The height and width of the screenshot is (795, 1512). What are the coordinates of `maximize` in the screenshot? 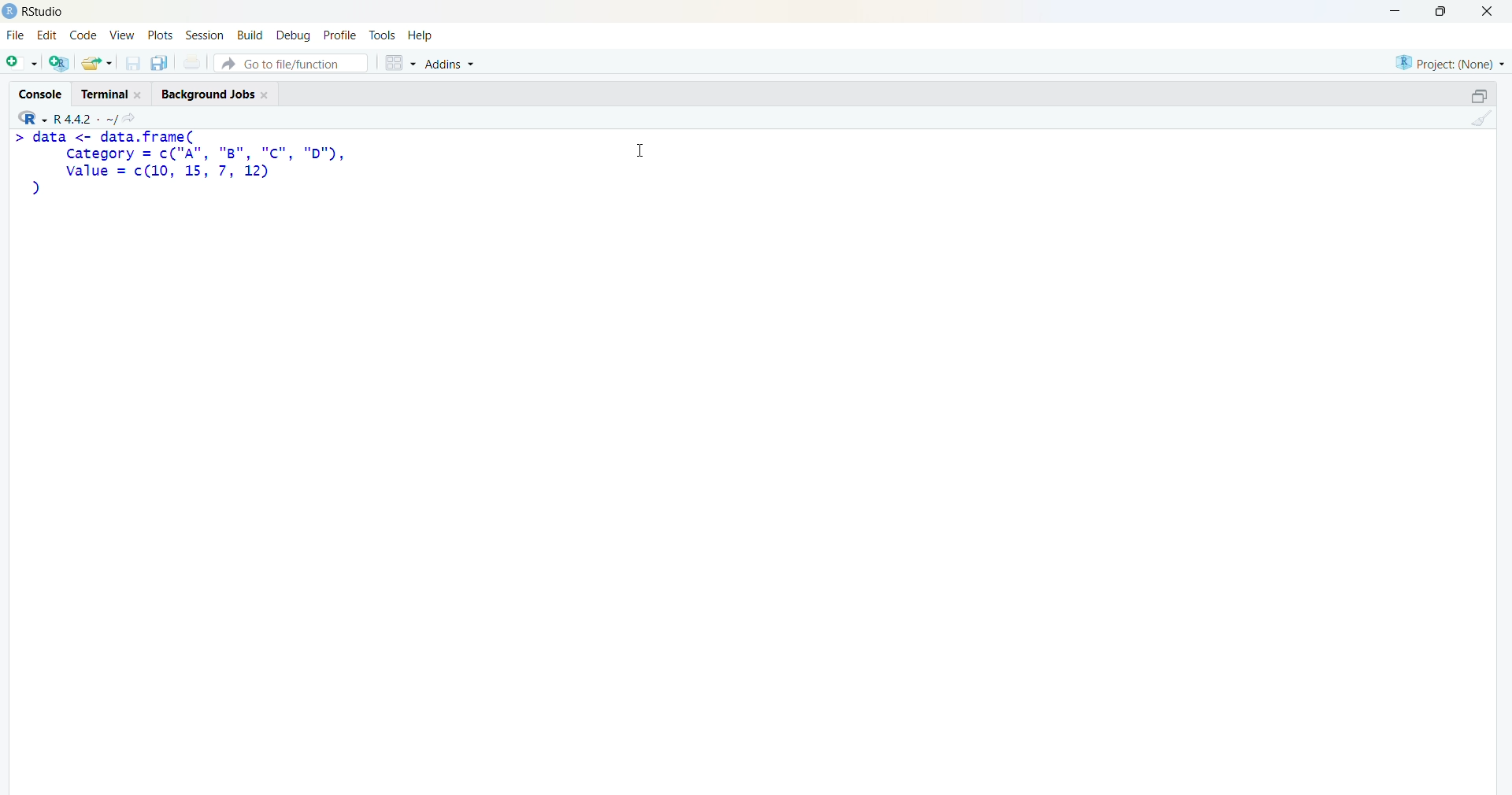 It's located at (1446, 11).